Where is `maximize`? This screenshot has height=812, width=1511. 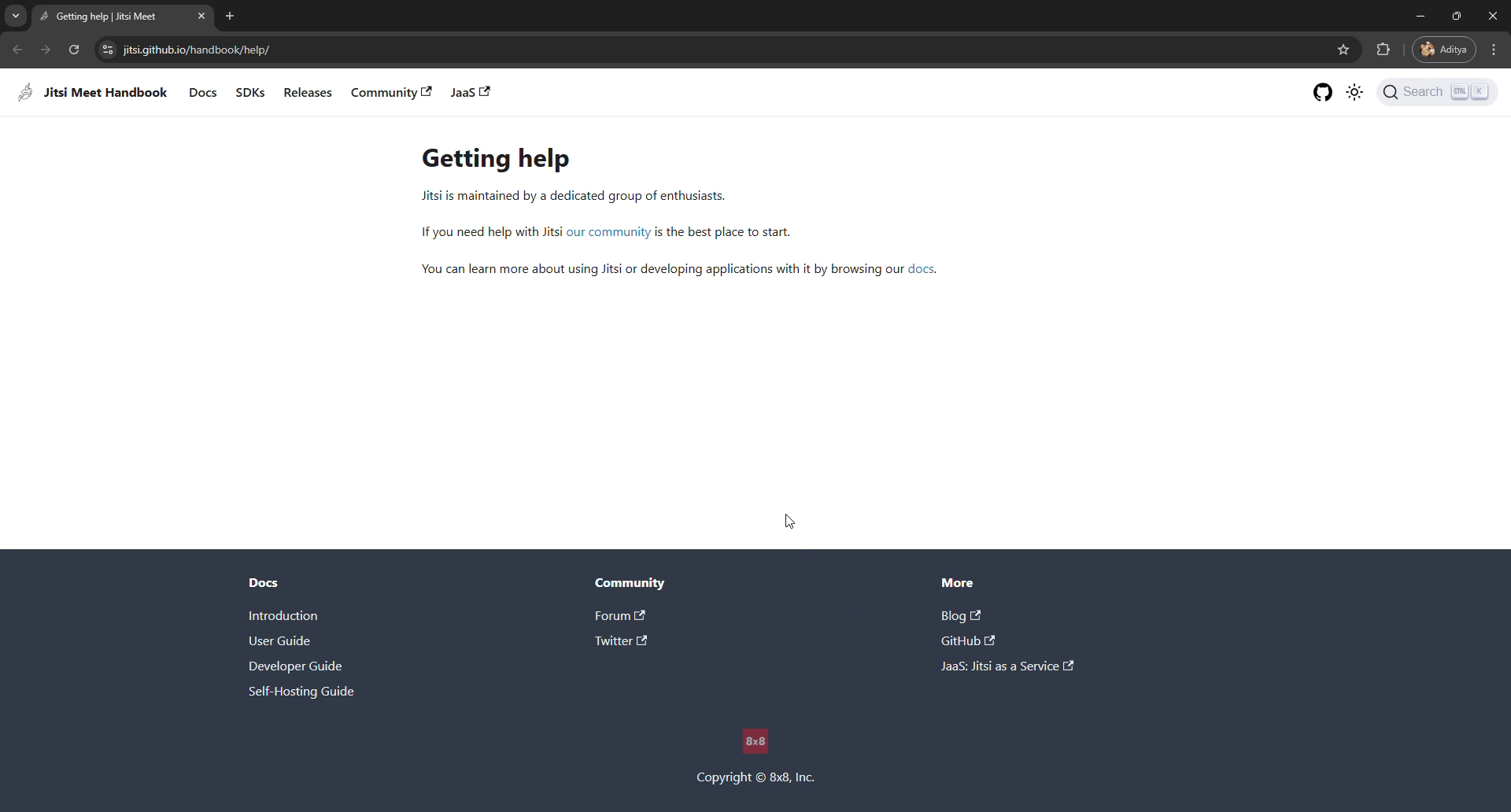
maximize is located at coordinates (1457, 15).